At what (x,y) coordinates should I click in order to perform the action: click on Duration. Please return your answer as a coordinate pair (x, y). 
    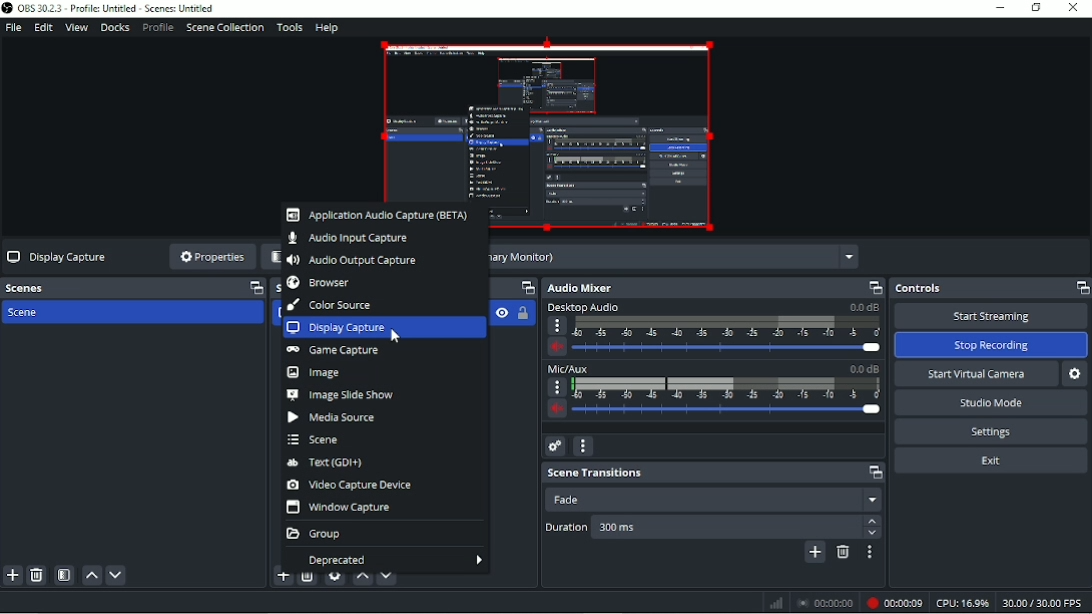
    Looking at the image, I should click on (564, 529).